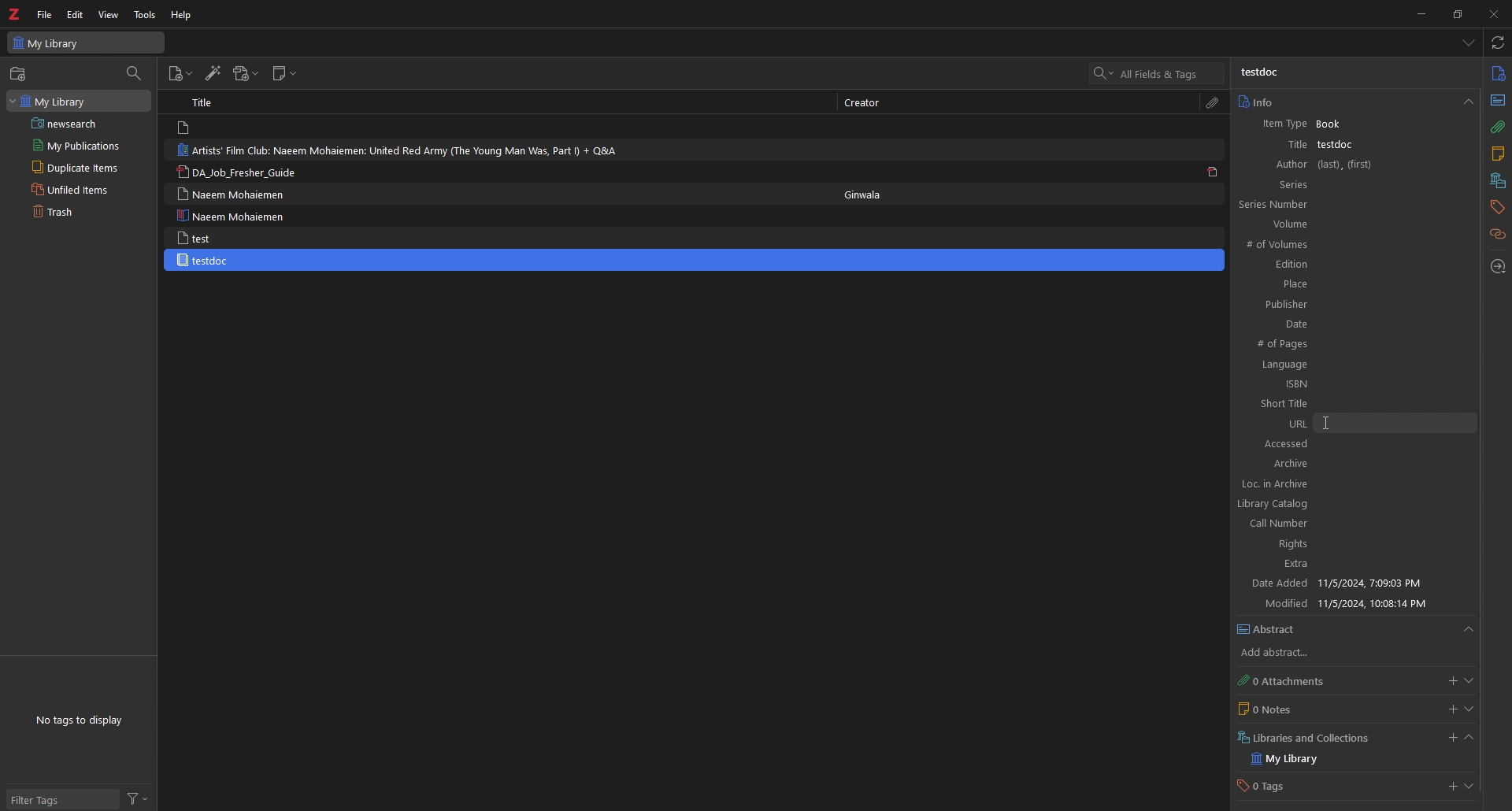 This screenshot has height=811, width=1512. I want to click on Artists’ Film Club: Naeem Mohaiemen: United Red Army, so click(402, 150).